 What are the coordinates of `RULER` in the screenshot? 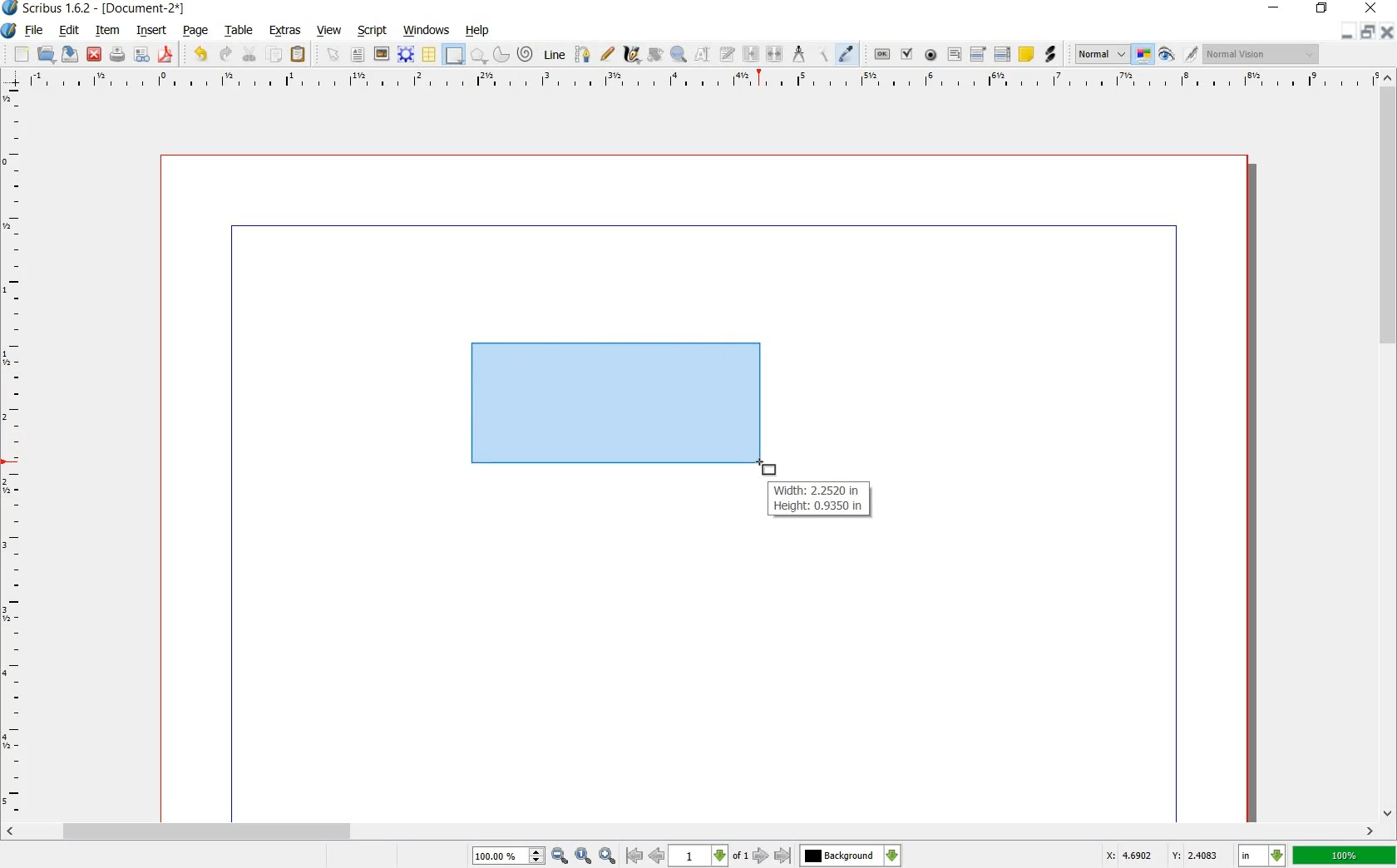 It's located at (700, 81).